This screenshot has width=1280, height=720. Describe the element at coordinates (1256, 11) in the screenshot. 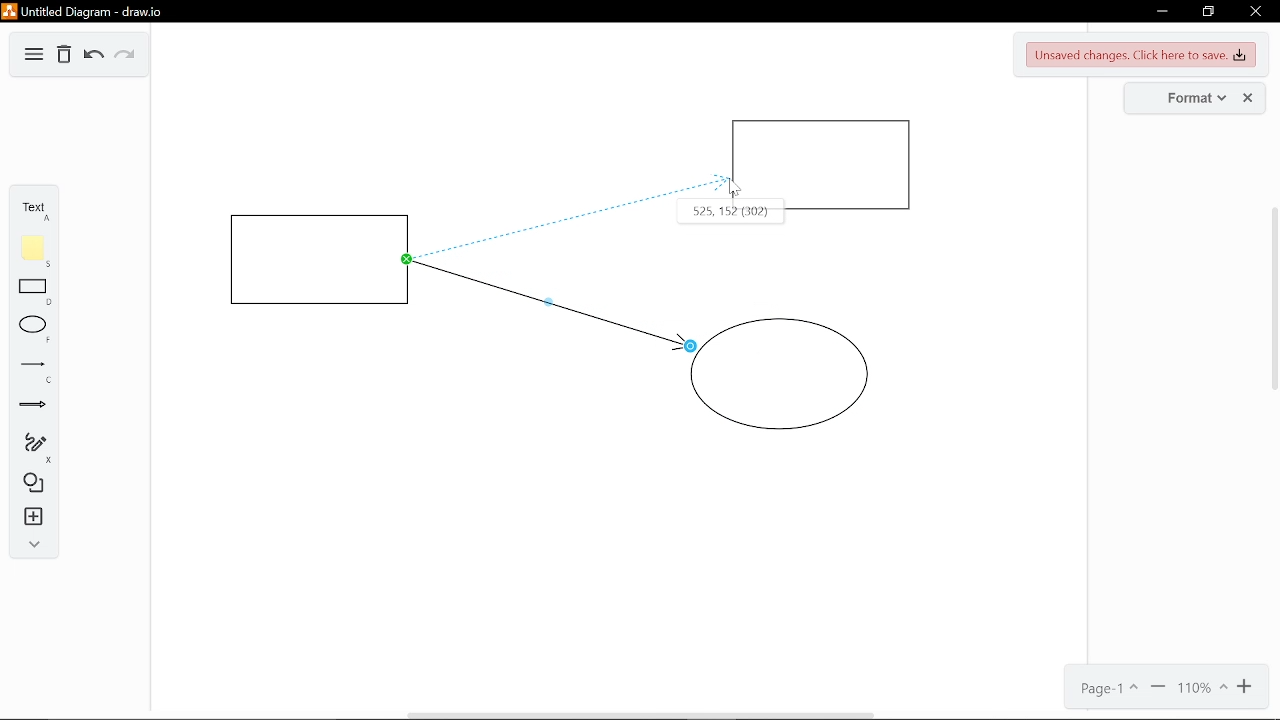

I see `Close` at that location.